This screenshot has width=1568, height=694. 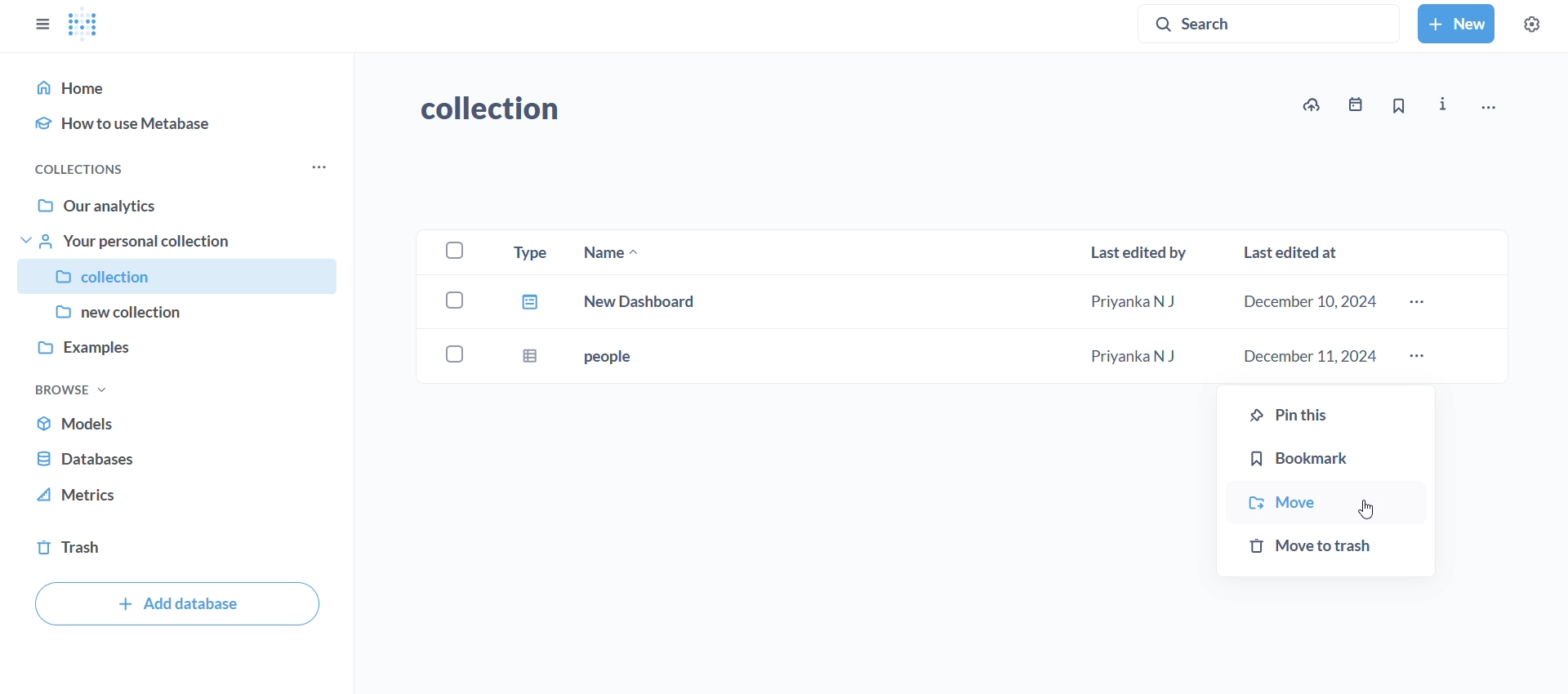 What do you see at coordinates (1445, 105) in the screenshot?
I see `info` at bounding box center [1445, 105].